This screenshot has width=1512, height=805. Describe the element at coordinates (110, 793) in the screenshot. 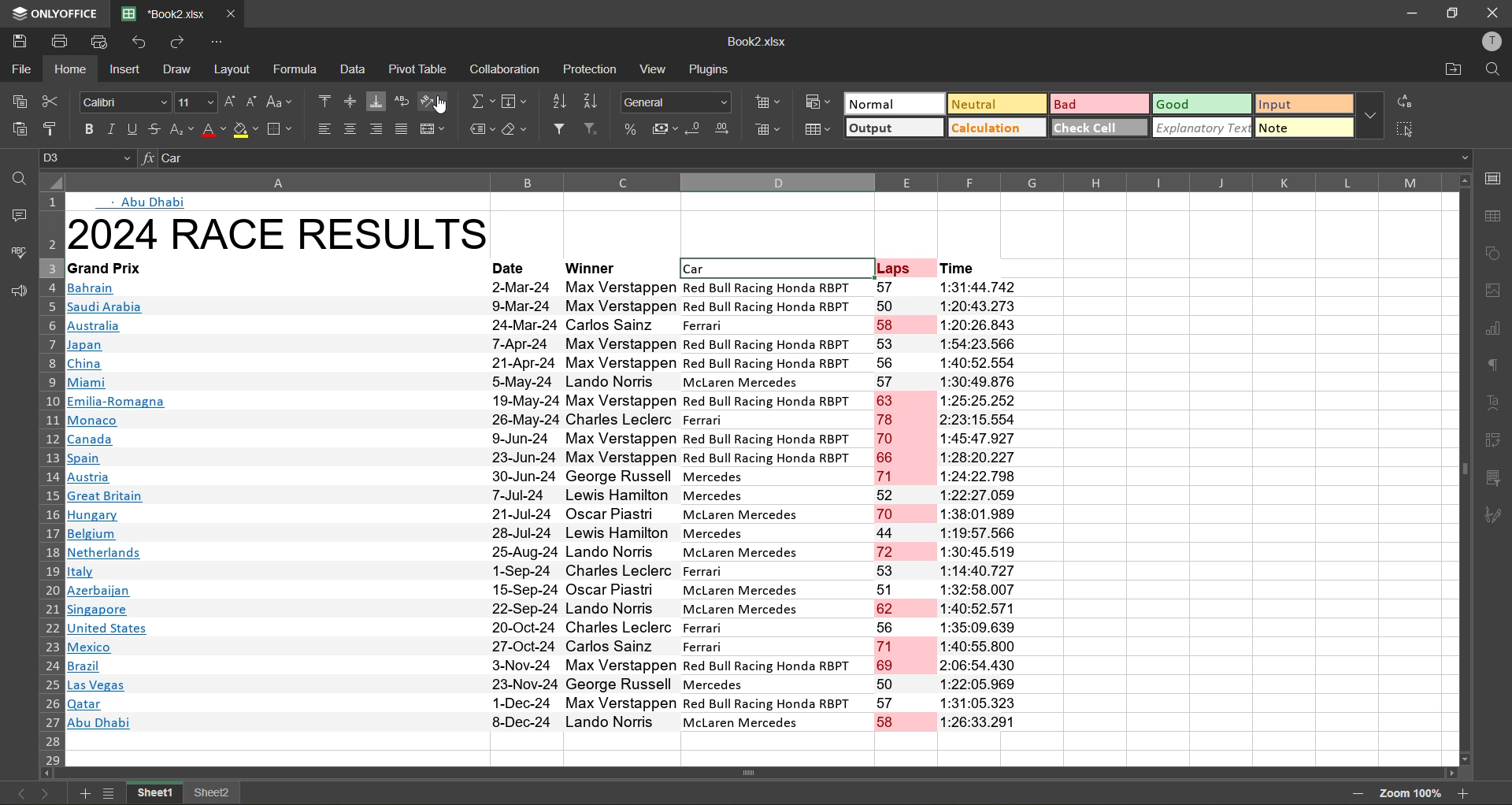

I see `sheet list` at that location.